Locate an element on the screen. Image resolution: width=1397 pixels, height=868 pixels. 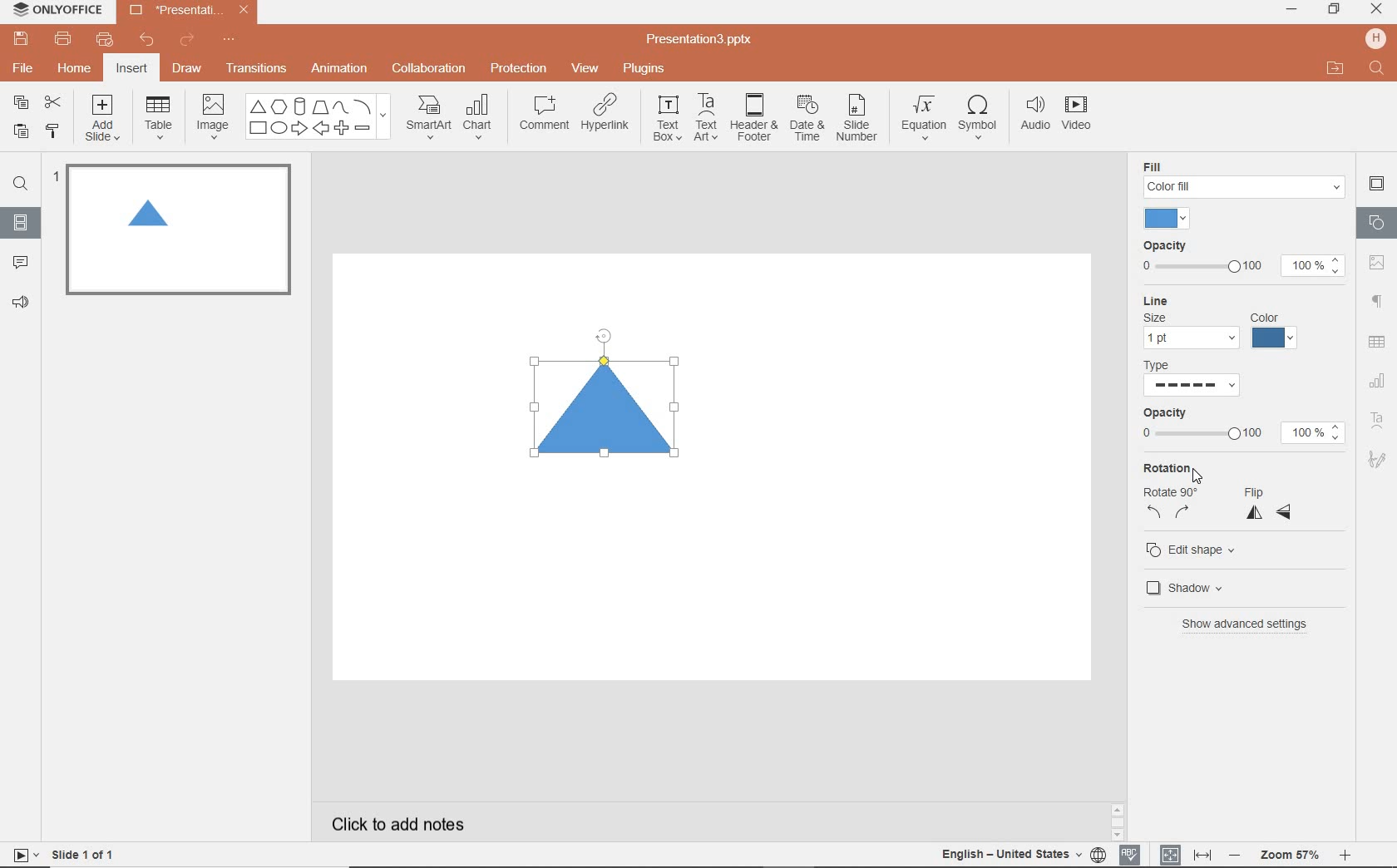
CUSTOMIZE QUICK ACCESS TOOLBAR is located at coordinates (229, 40).